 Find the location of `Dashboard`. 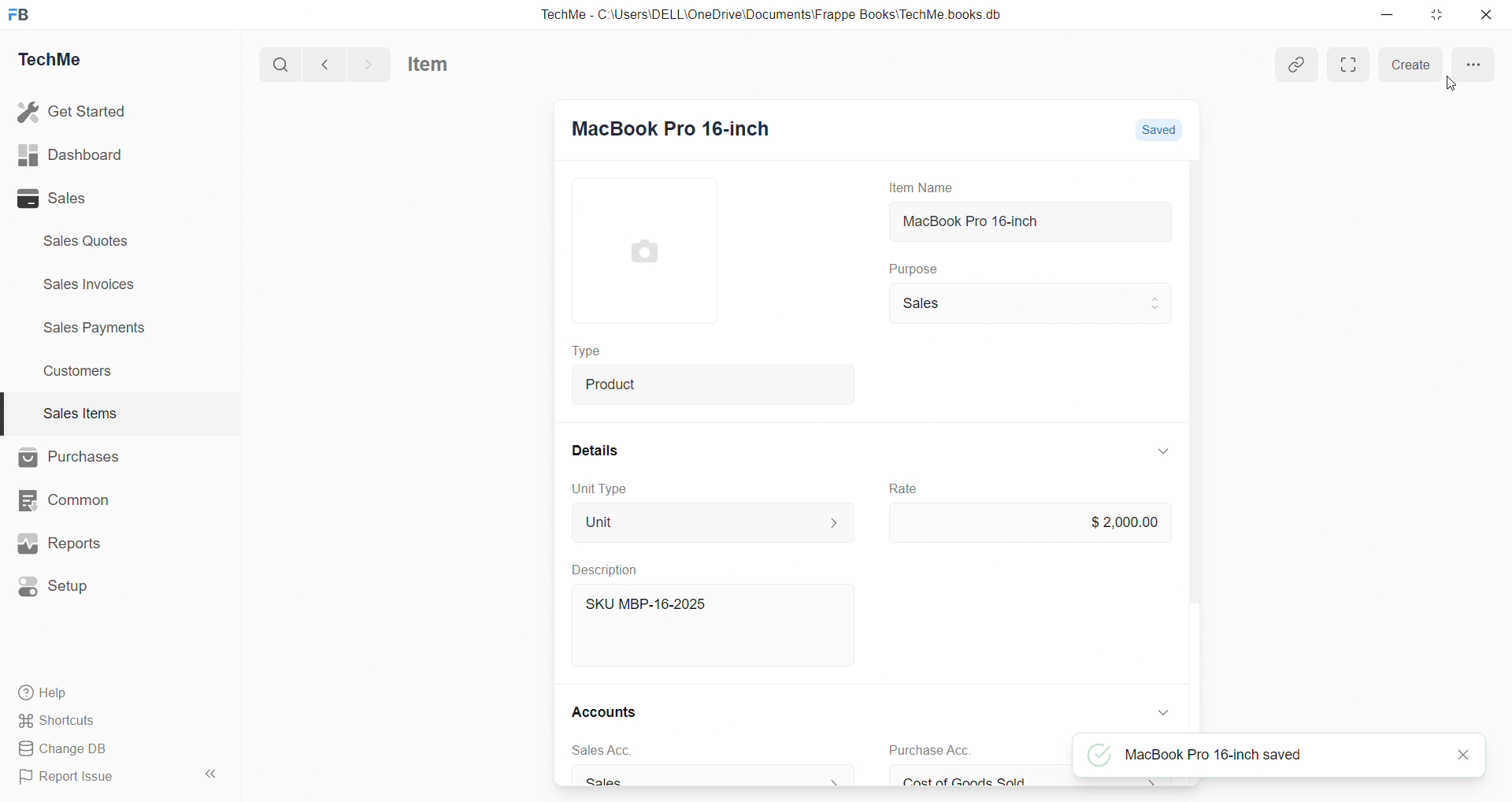

Dashboard is located at coordinates (71, 154).